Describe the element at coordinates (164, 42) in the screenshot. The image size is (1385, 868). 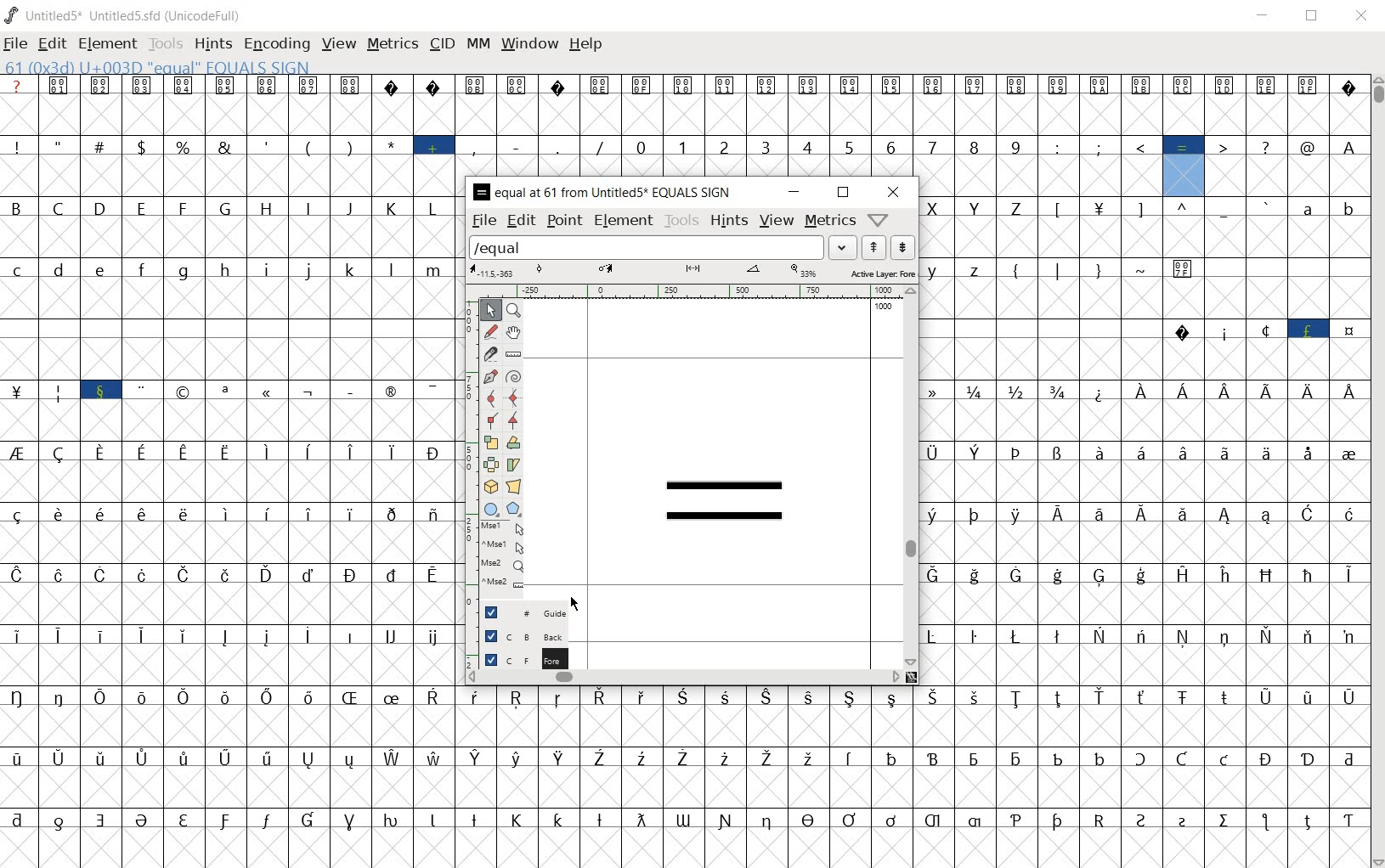
I see `tools` at that location.